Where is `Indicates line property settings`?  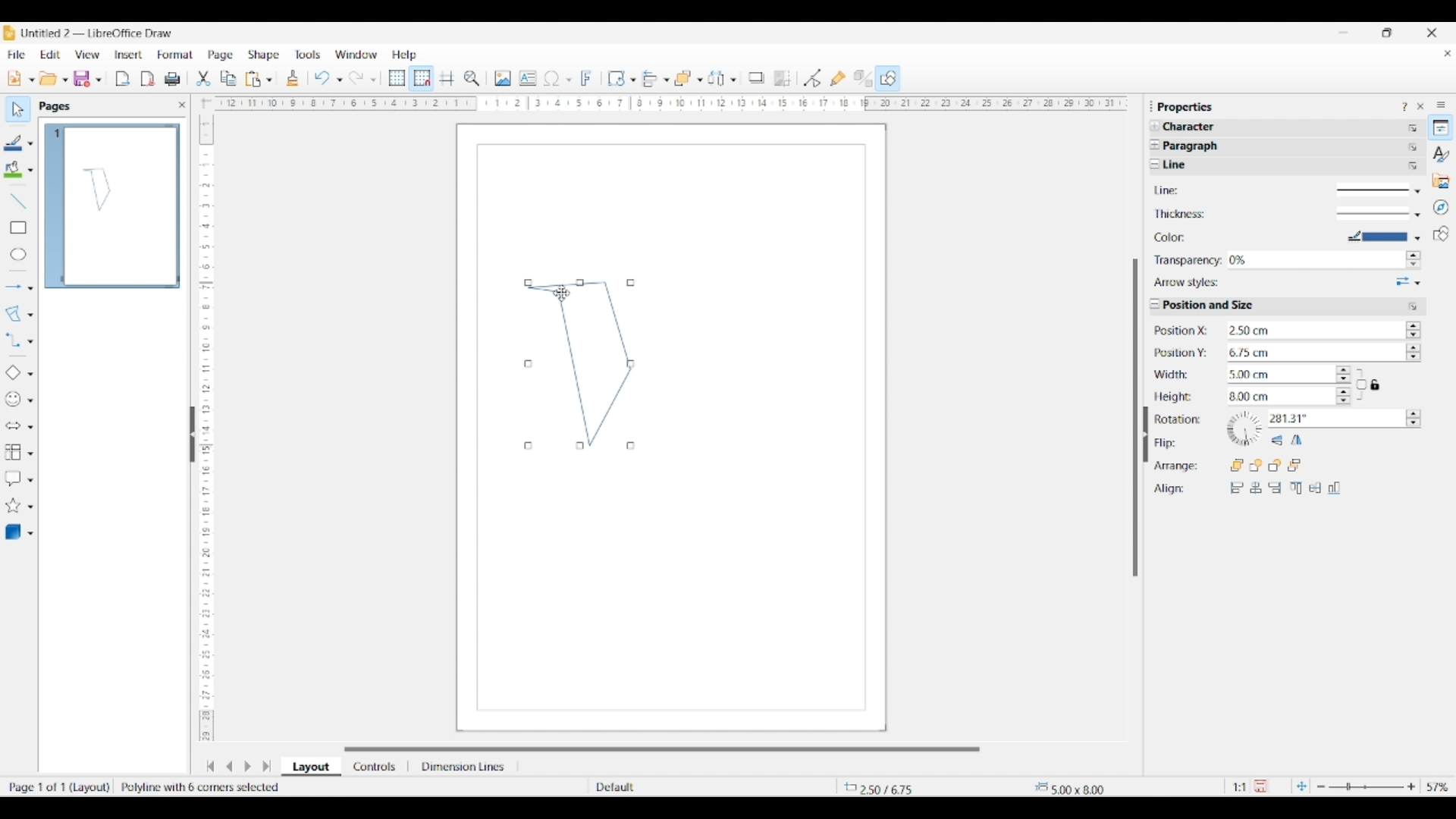 Indicates line property settings is located at coordinates (1198, 165).